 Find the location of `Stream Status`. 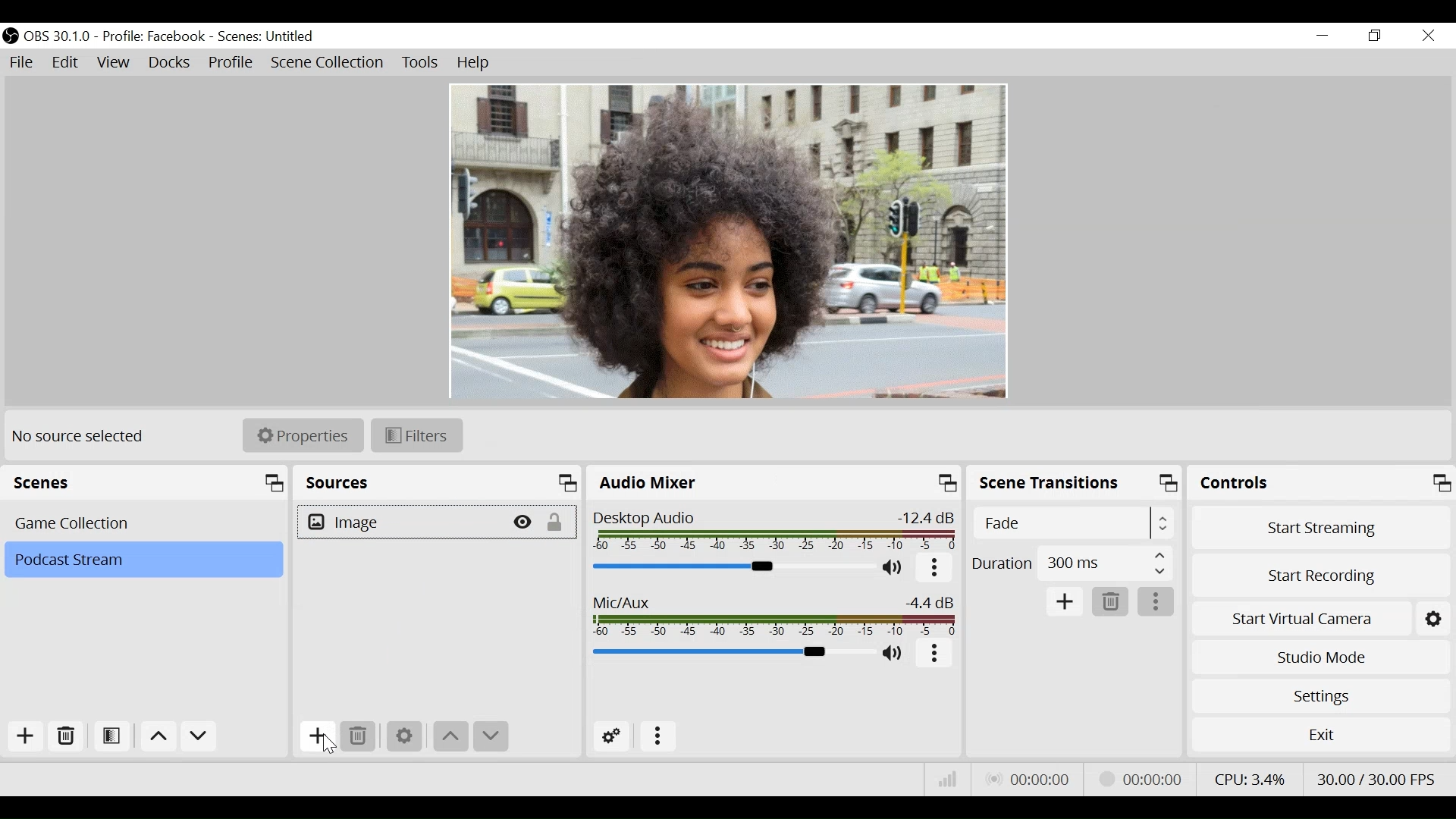

Stream Status is located at coordinates (1141, 777).